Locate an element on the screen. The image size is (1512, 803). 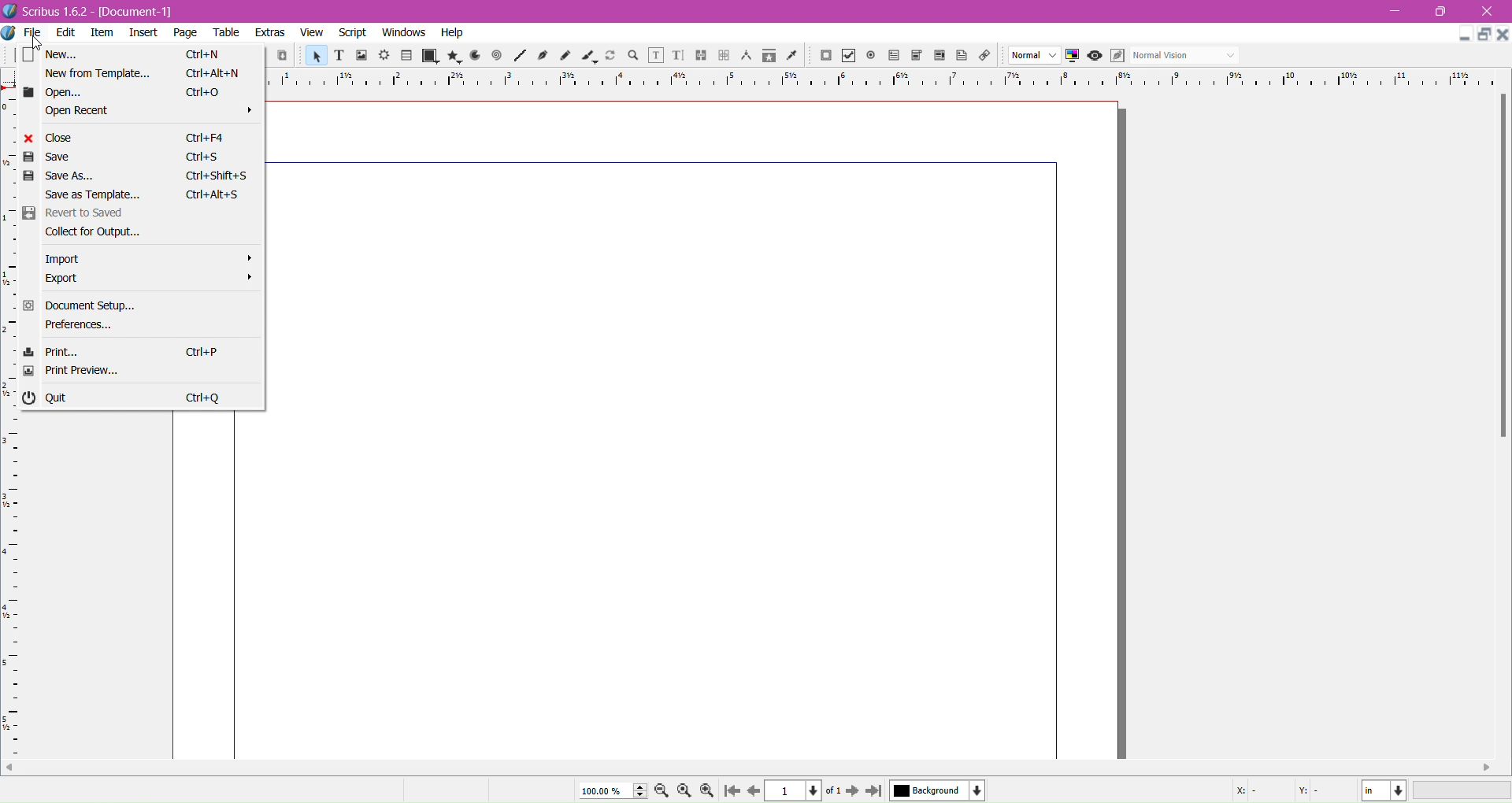
Select the current layer is located at coordinates (937, 791).